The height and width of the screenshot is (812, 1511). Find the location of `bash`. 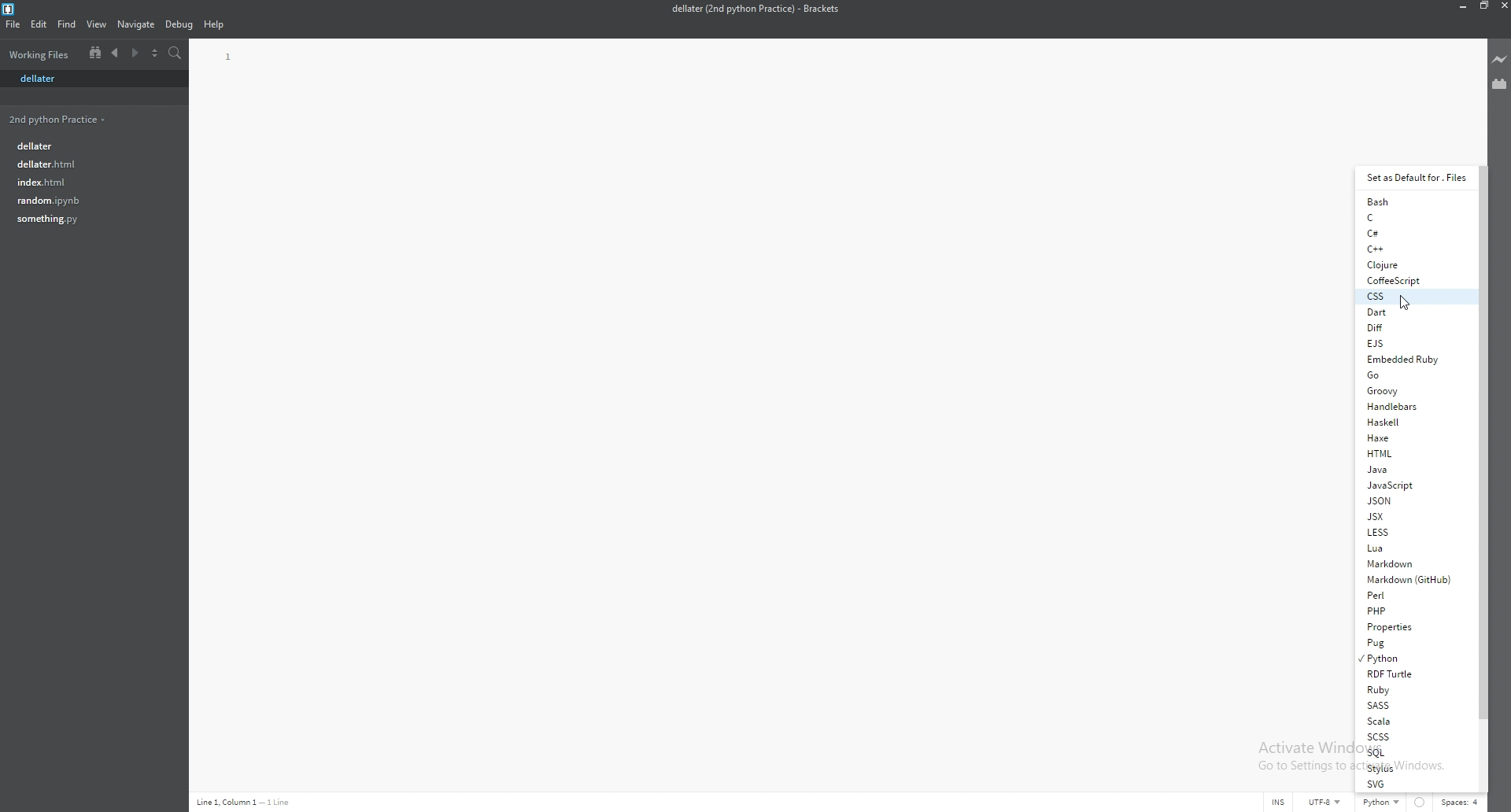

bash is located at coordinates (1414, 202).